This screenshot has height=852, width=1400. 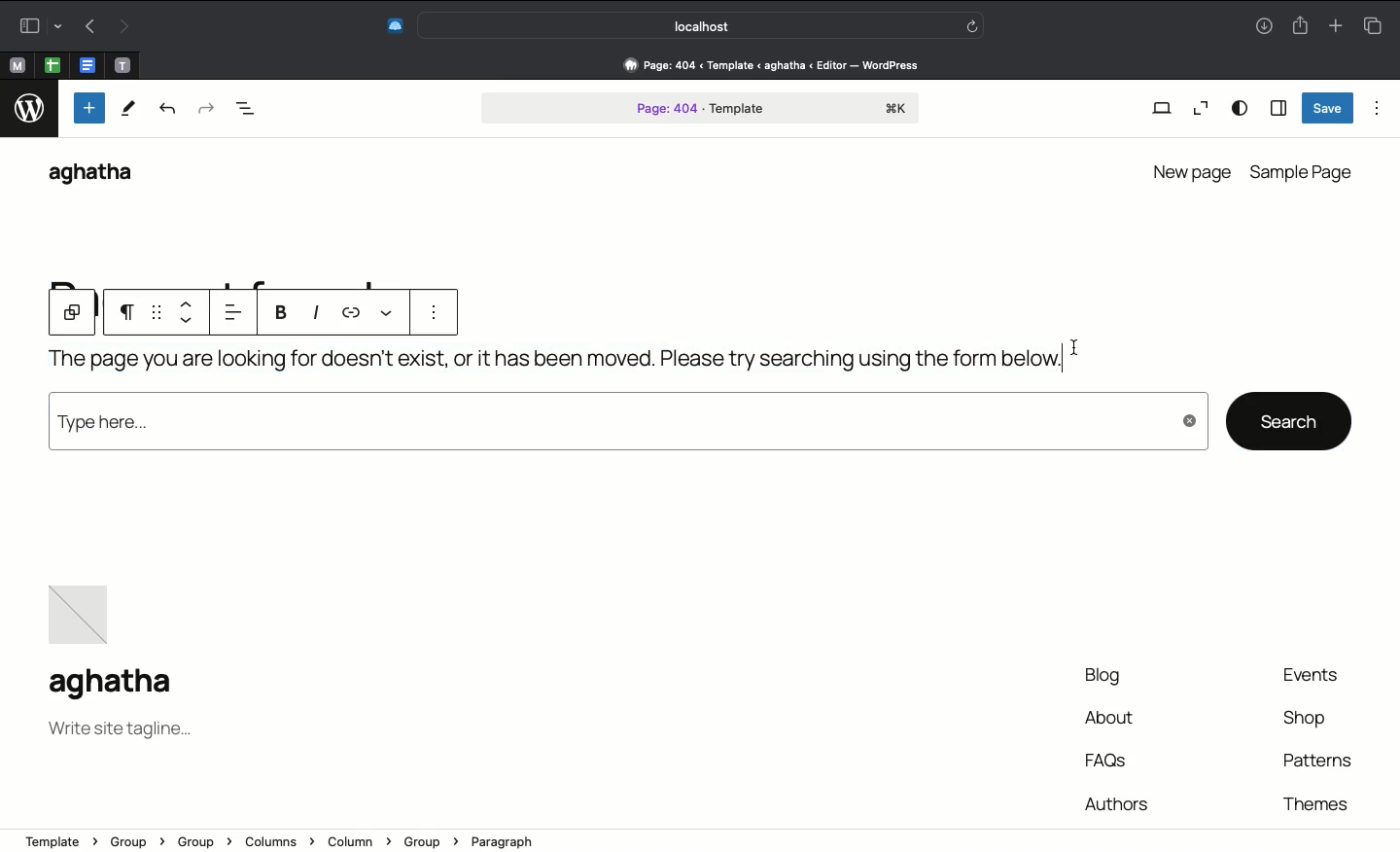 I want to click on Italics, so click(x=319, y=313).